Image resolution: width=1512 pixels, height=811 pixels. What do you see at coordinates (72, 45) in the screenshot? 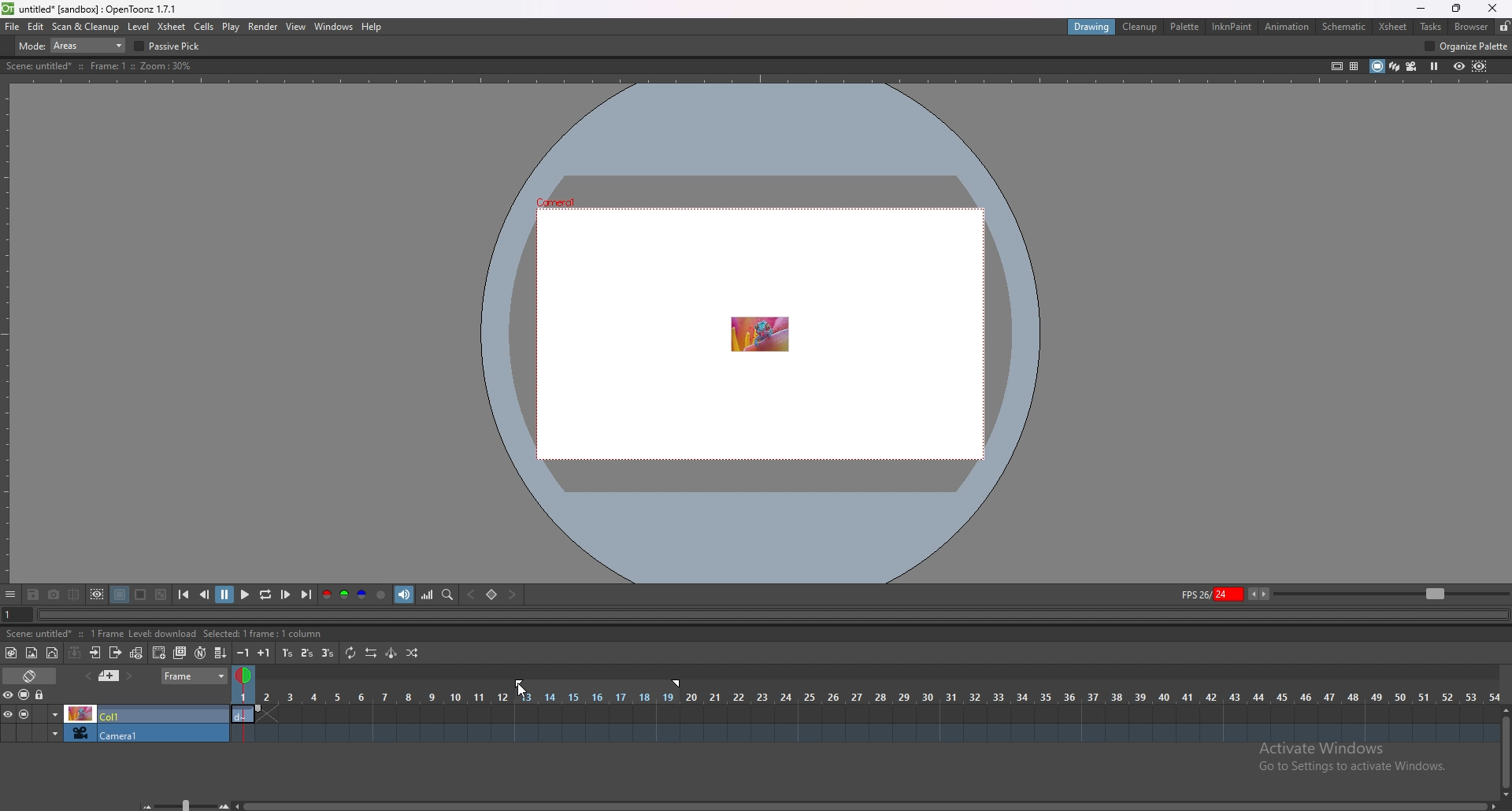
I see `mode` at bounding box center [72, 45].